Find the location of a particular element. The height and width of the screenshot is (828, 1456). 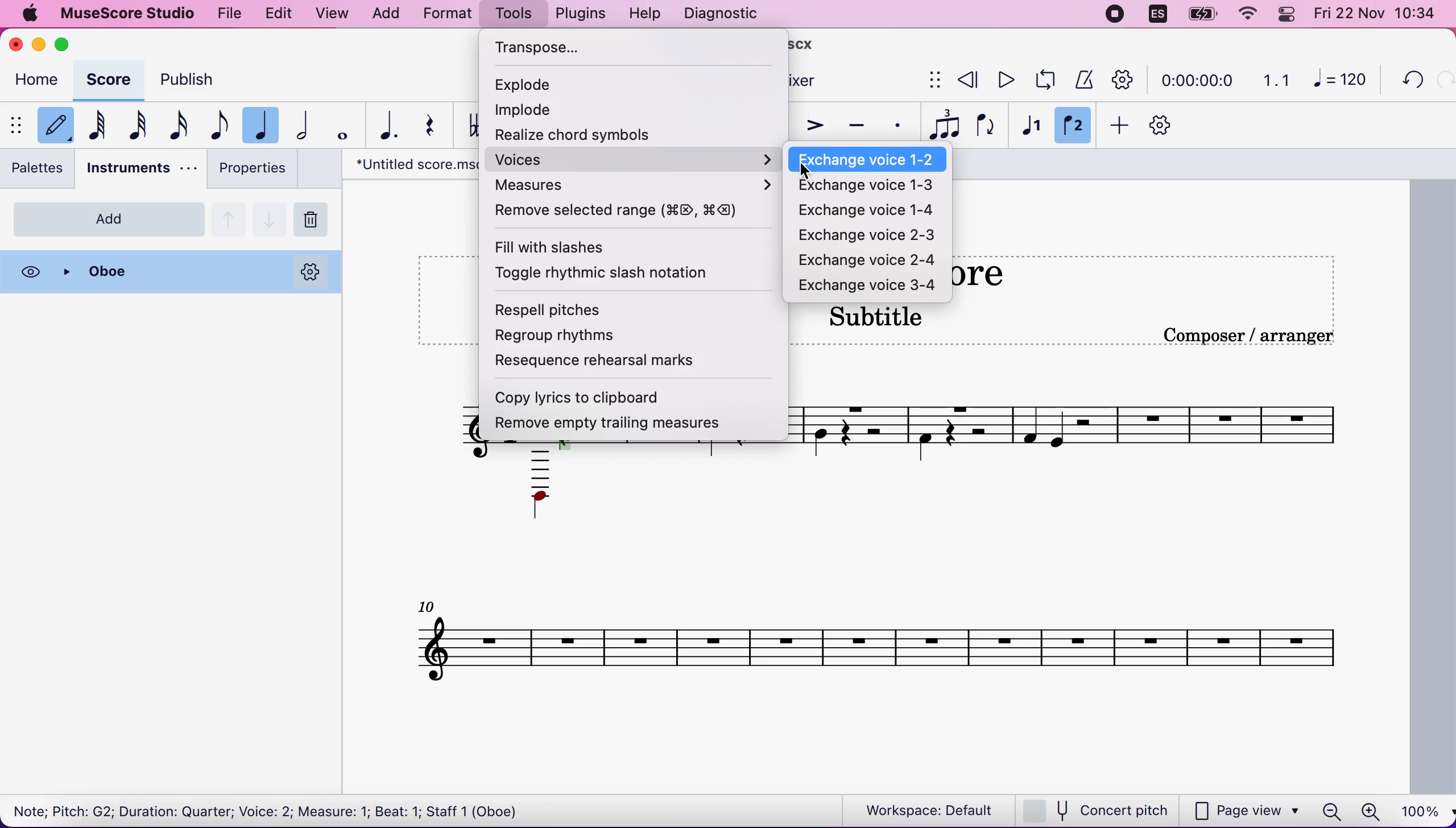

language is located at coordinates (1155, 15).